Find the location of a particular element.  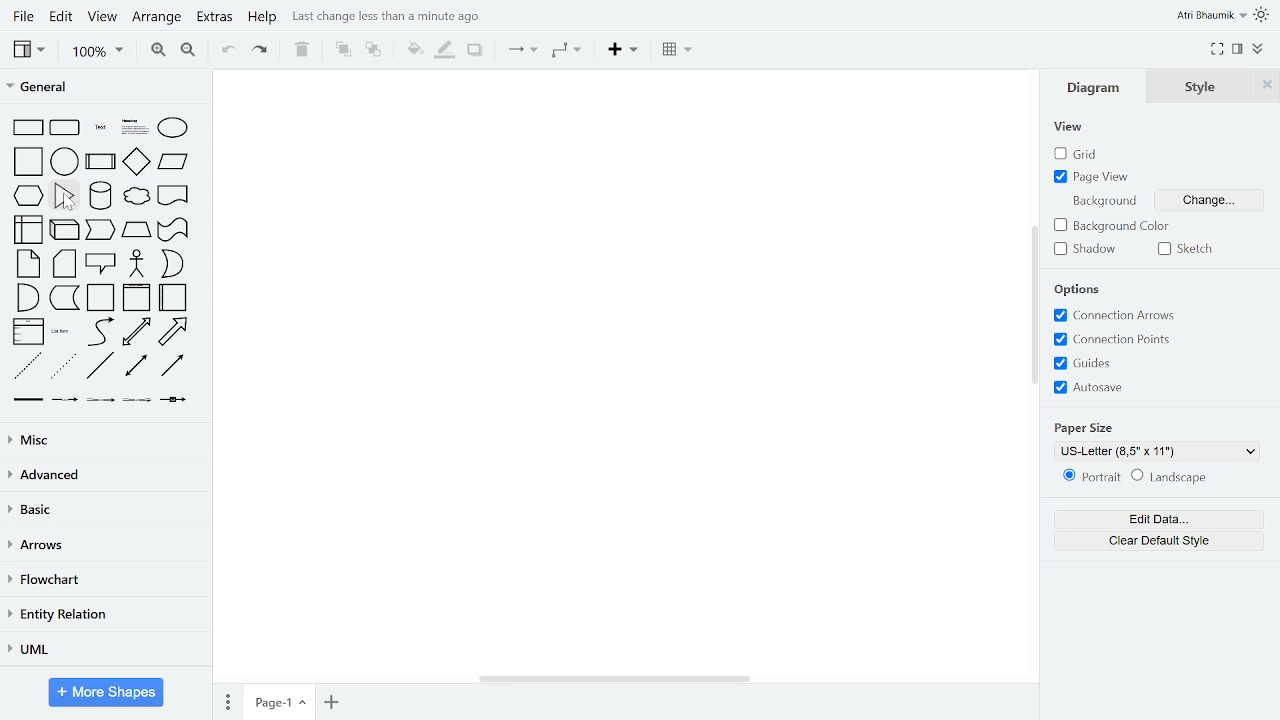

shadow is located at coordinates (474, 50).